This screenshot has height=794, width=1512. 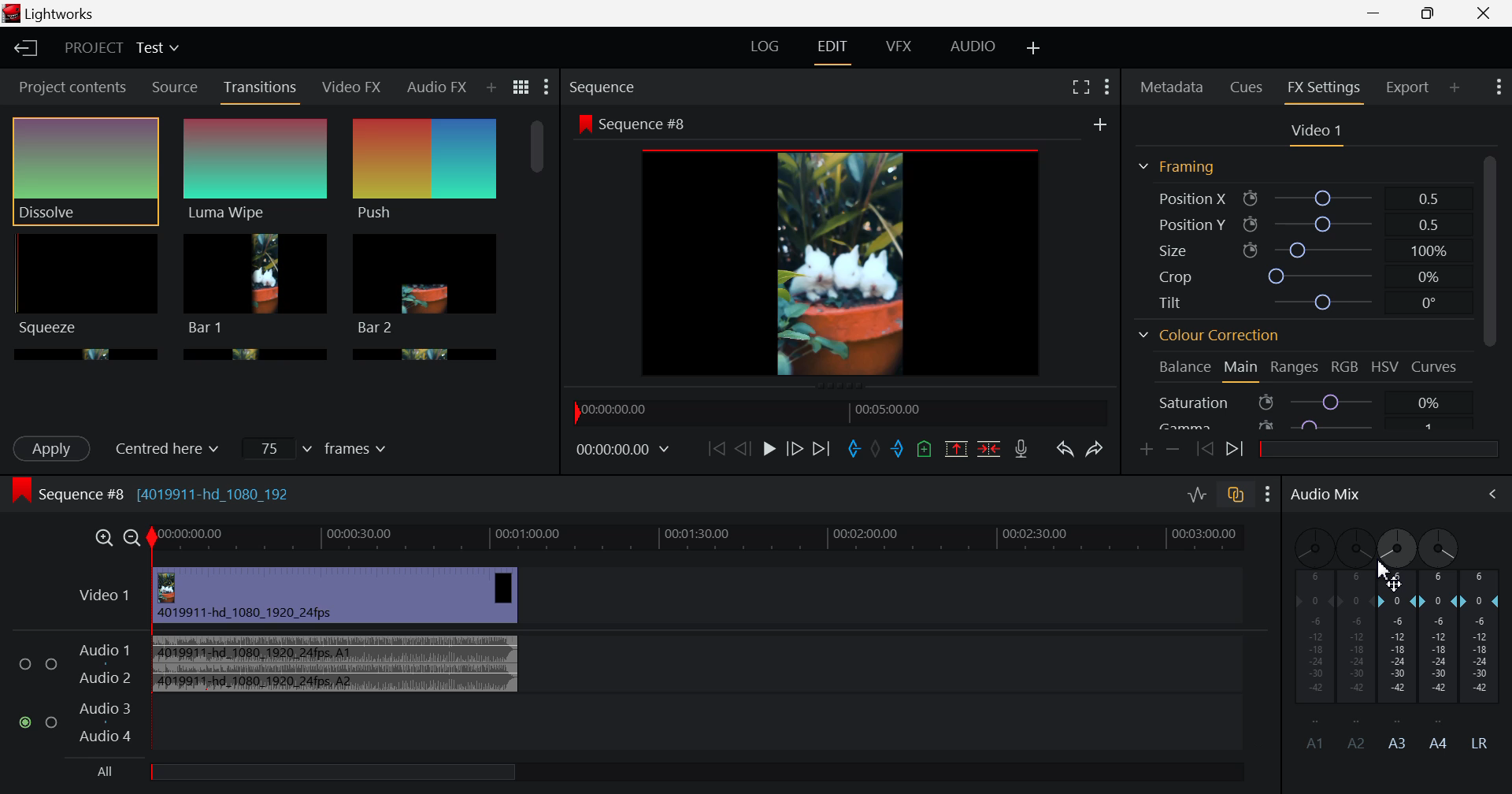 What do you see at coordinates (1326, 90) in the screenshot?
I see `FX Settings Open` at bounding box center [1326, 90].